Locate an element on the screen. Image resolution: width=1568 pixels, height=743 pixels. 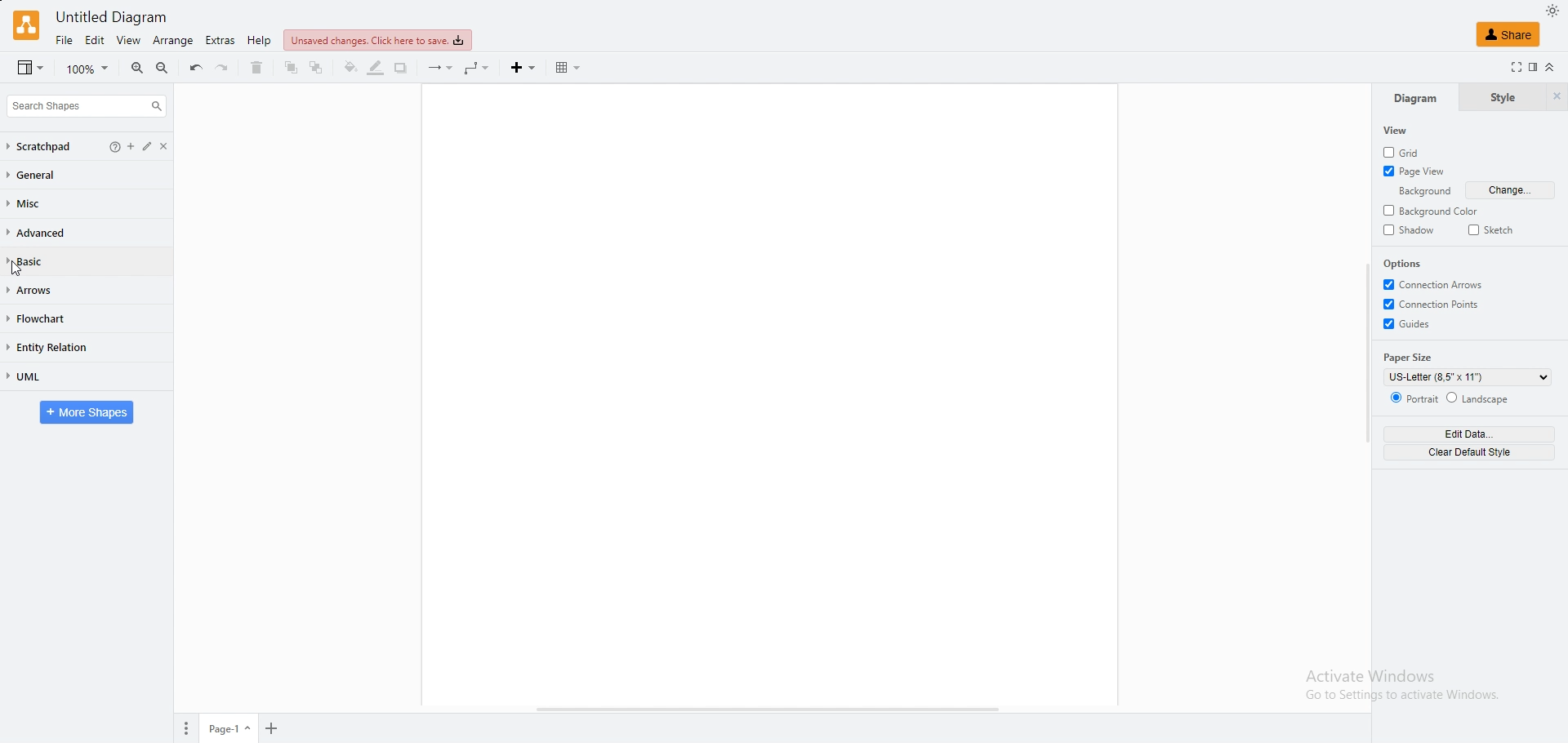
add is located at coordinates (128, 146).